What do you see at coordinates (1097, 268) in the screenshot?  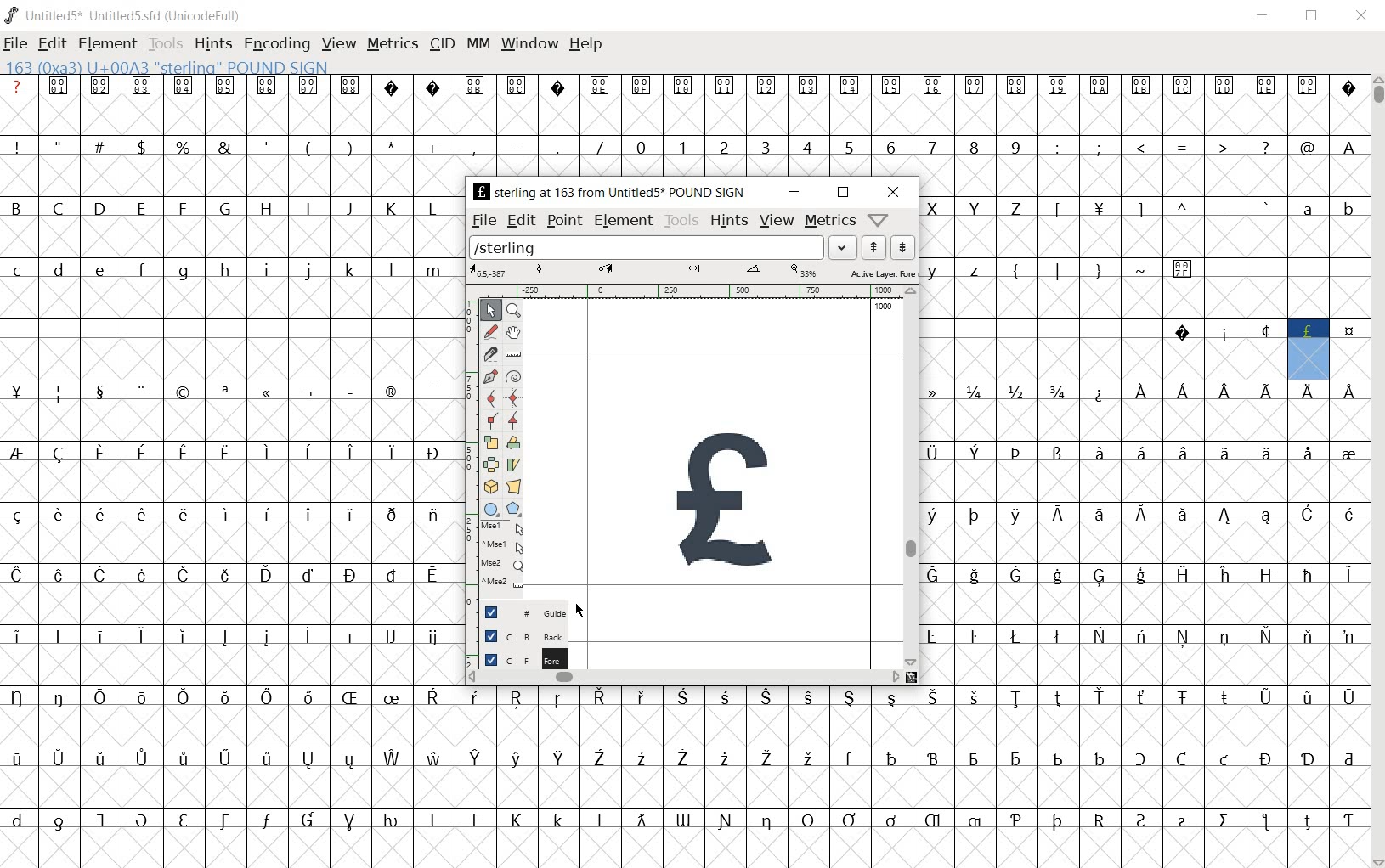 I see `}` at bounding box center [1097, 268].